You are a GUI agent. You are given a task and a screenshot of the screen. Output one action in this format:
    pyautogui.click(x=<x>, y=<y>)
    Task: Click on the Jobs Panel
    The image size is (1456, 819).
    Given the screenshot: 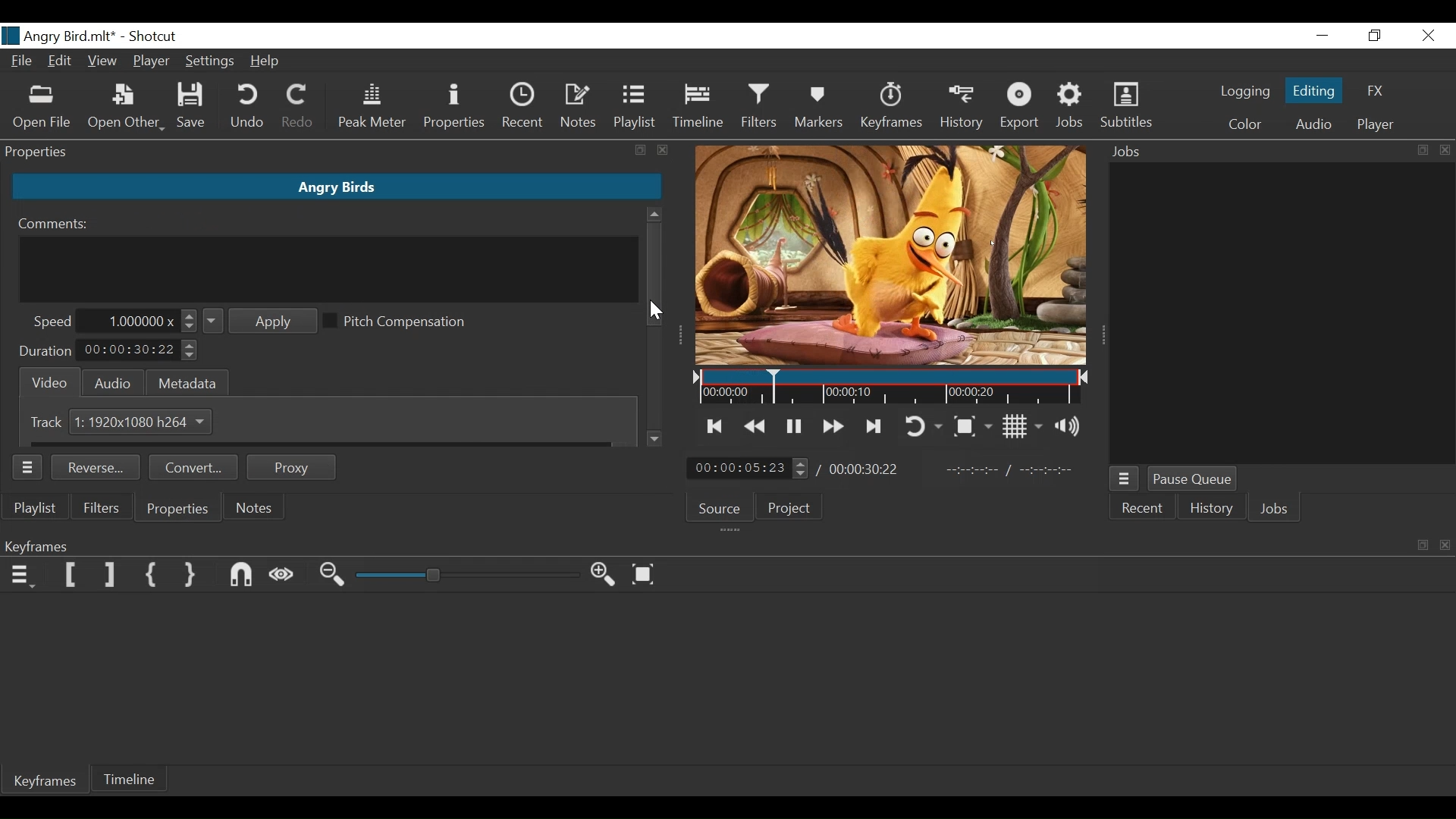 What is the action you would take?
    pyautogui.click(x=1275, y=152)
    